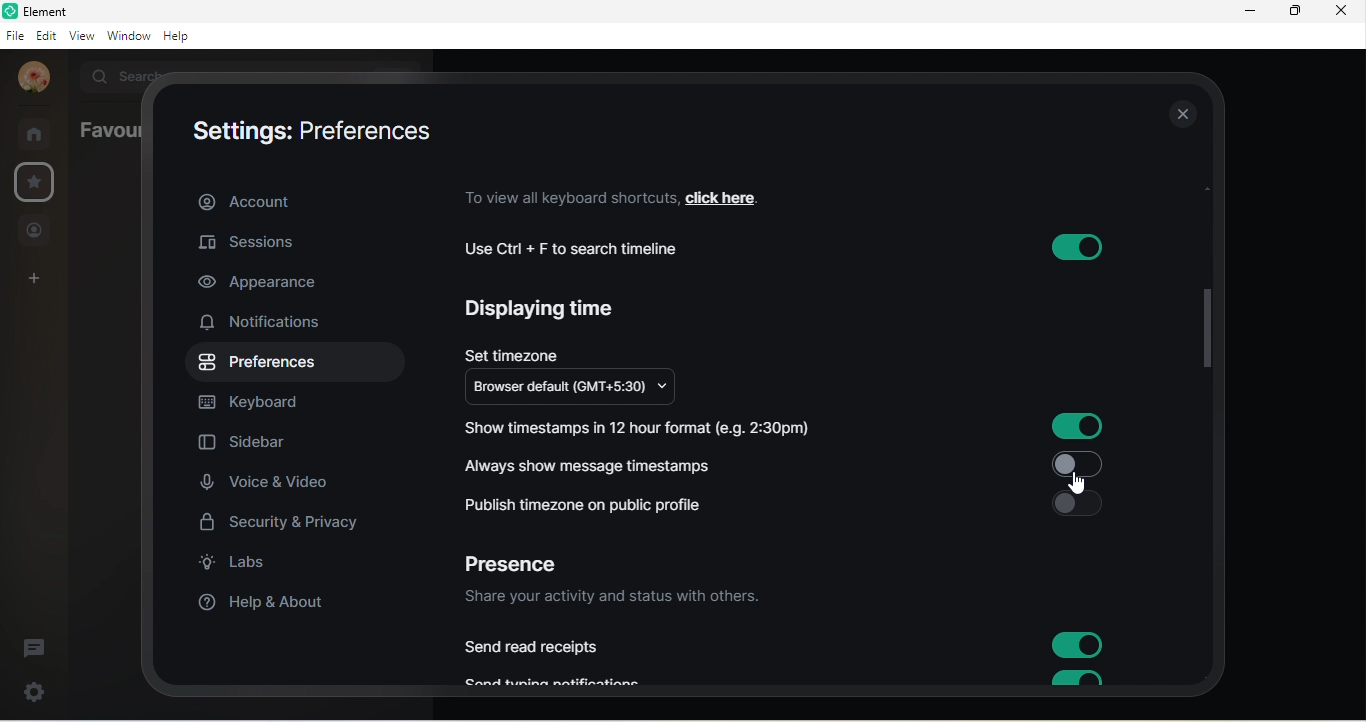 The height and width of the screenshot is (722, 1366). Describe the element at coordinates (536, 647) in the screenshot. I see `send read receipts` at that location.